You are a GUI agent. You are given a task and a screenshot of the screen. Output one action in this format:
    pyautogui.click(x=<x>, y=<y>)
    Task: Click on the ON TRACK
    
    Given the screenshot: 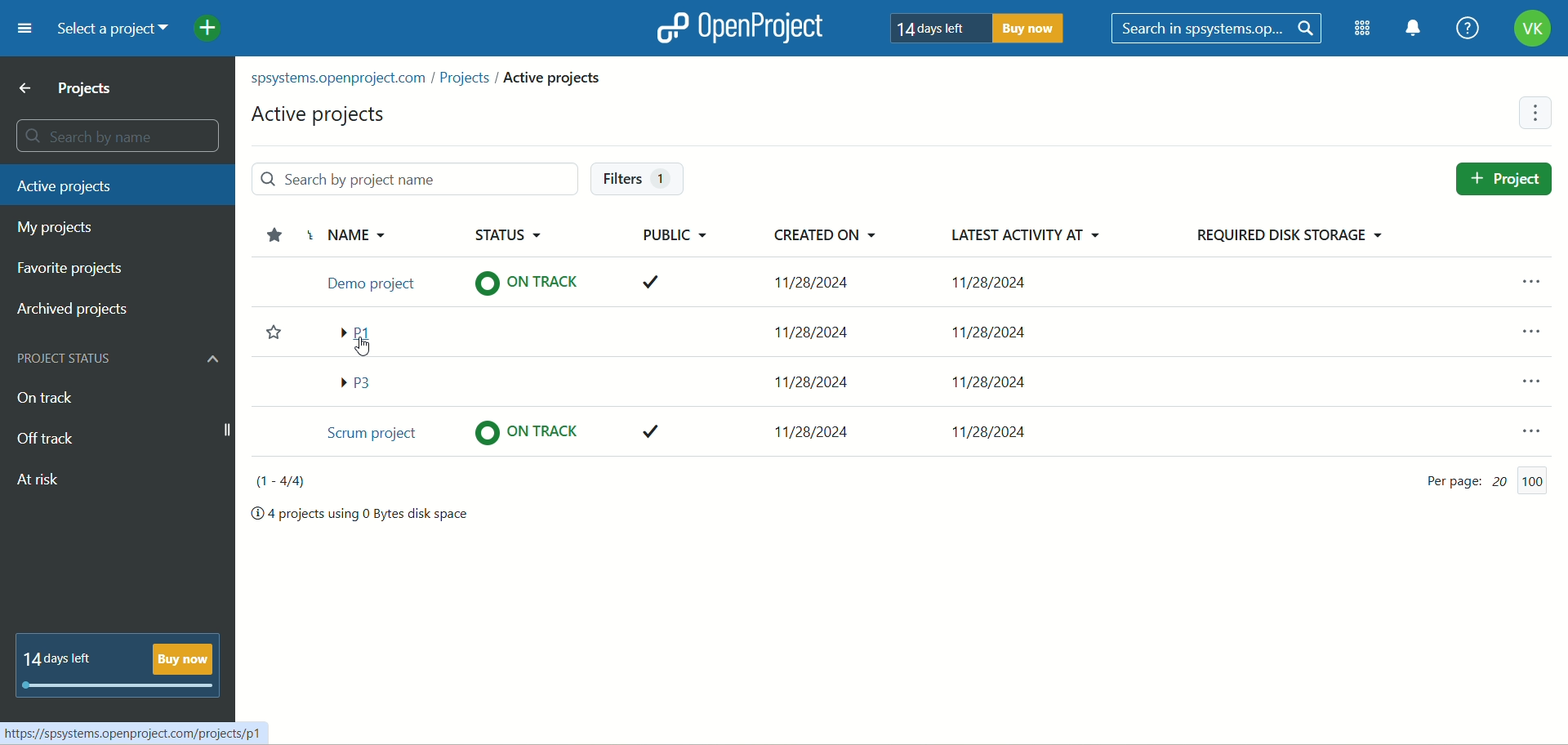 What is the action you would take?
    pyautogui.click(x=529, y=431)
    